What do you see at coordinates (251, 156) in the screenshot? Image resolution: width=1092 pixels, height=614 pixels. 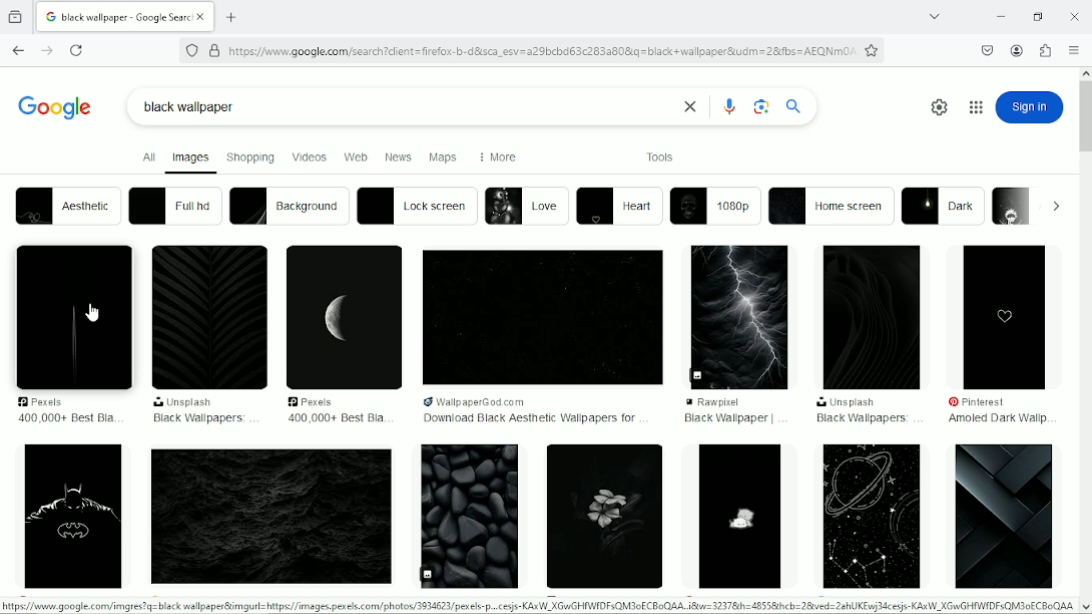 I see `shopping` at bounding box center [251, 156].